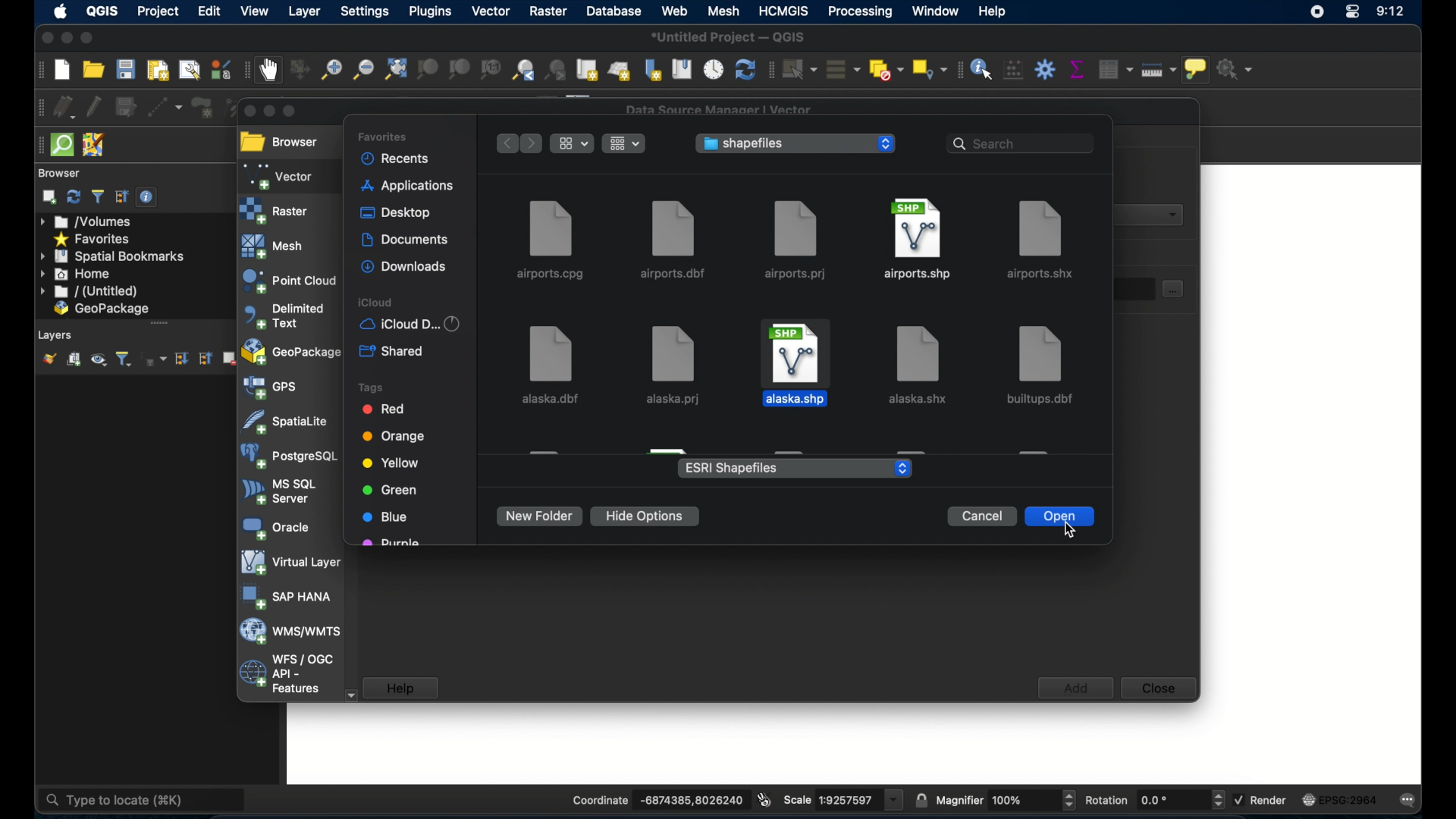  What do you see at coordinates (391, 463) in the screenshot?
I see `yellow` at bounding box center [391, 463].